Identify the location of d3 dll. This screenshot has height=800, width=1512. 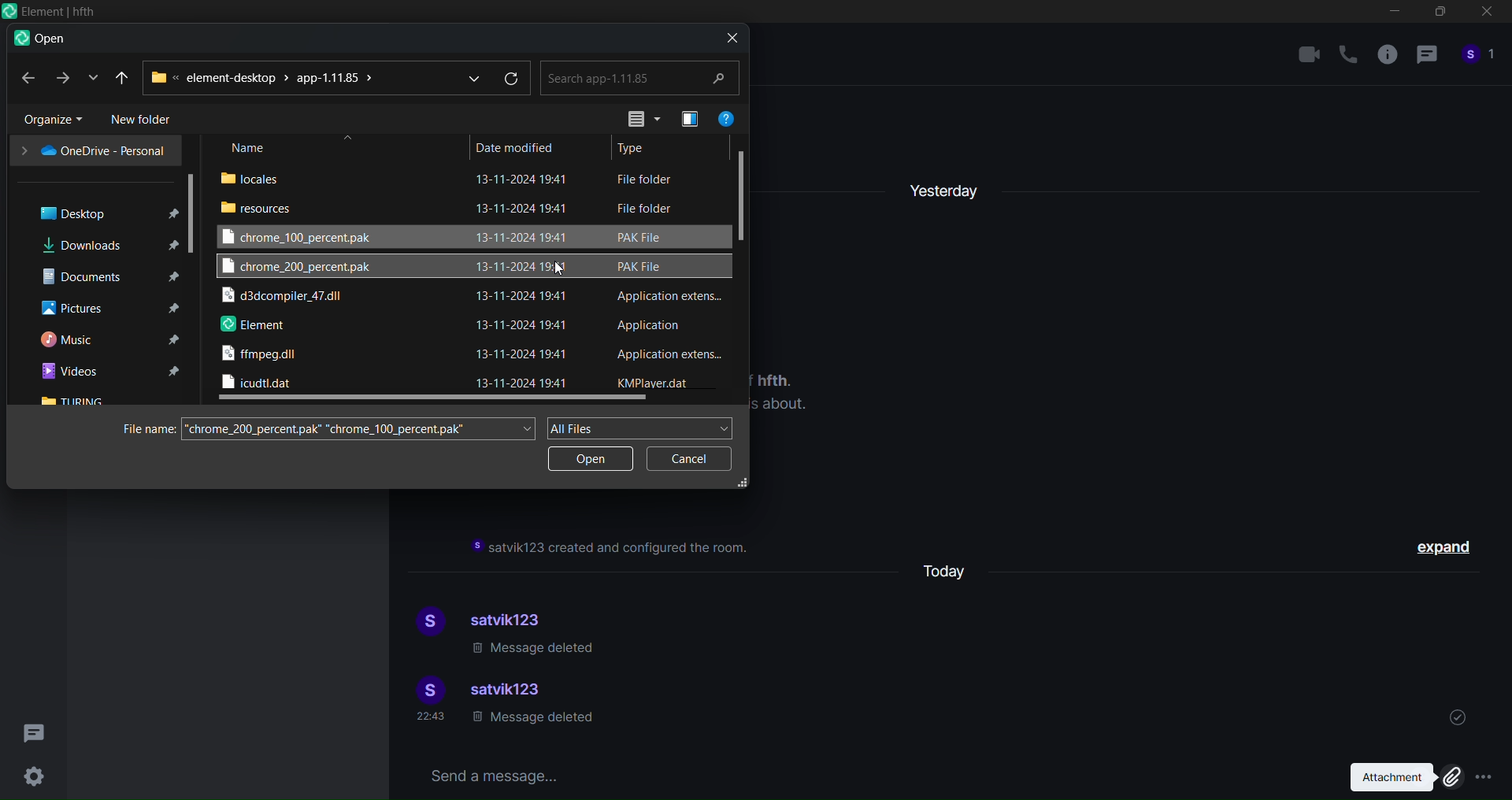
(286, 298).